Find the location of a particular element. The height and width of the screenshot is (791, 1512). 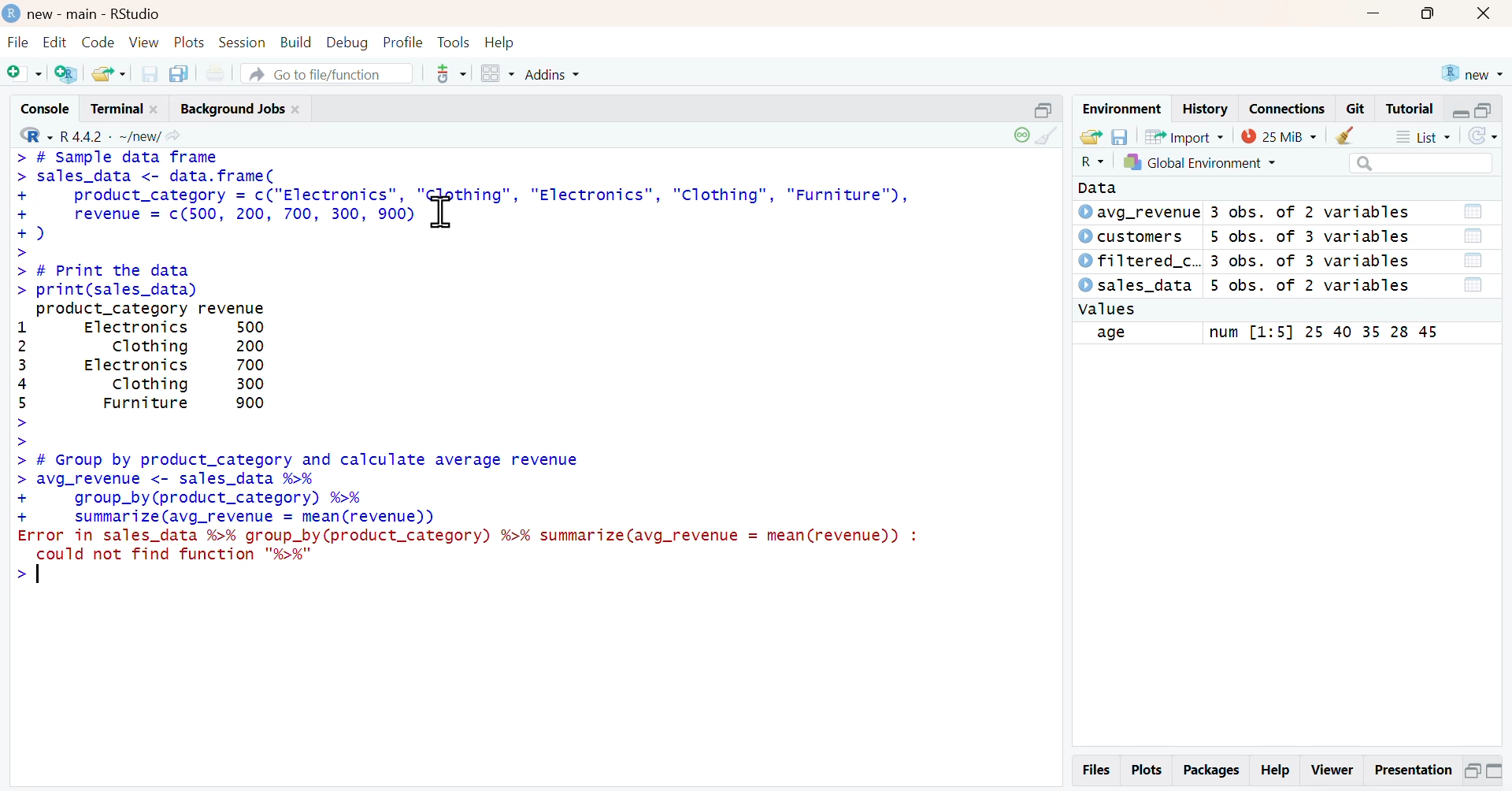

Background Jobs is located at coordinates (239, 108).